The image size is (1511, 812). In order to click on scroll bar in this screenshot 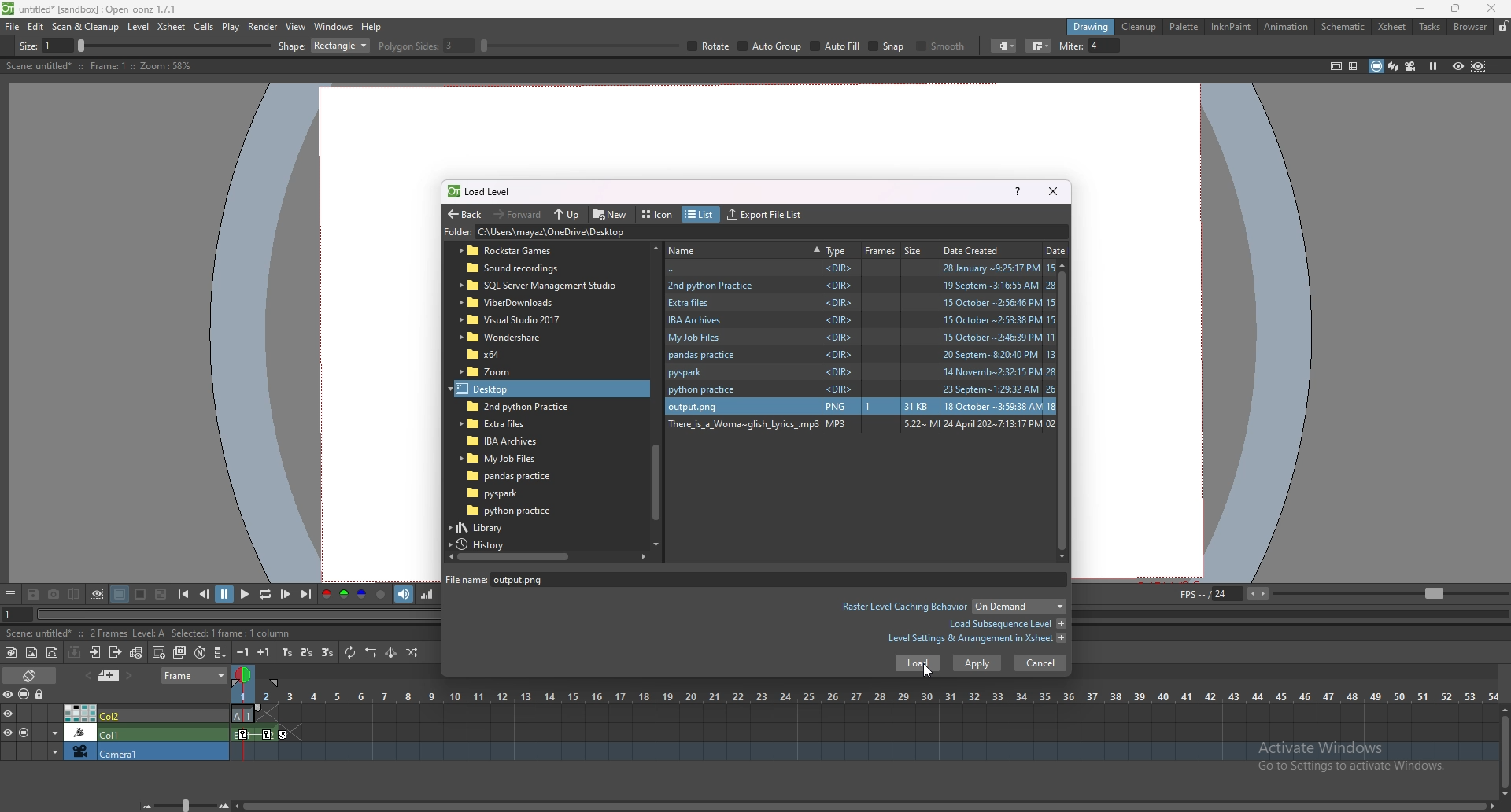, I will do `click(547, 556)`.